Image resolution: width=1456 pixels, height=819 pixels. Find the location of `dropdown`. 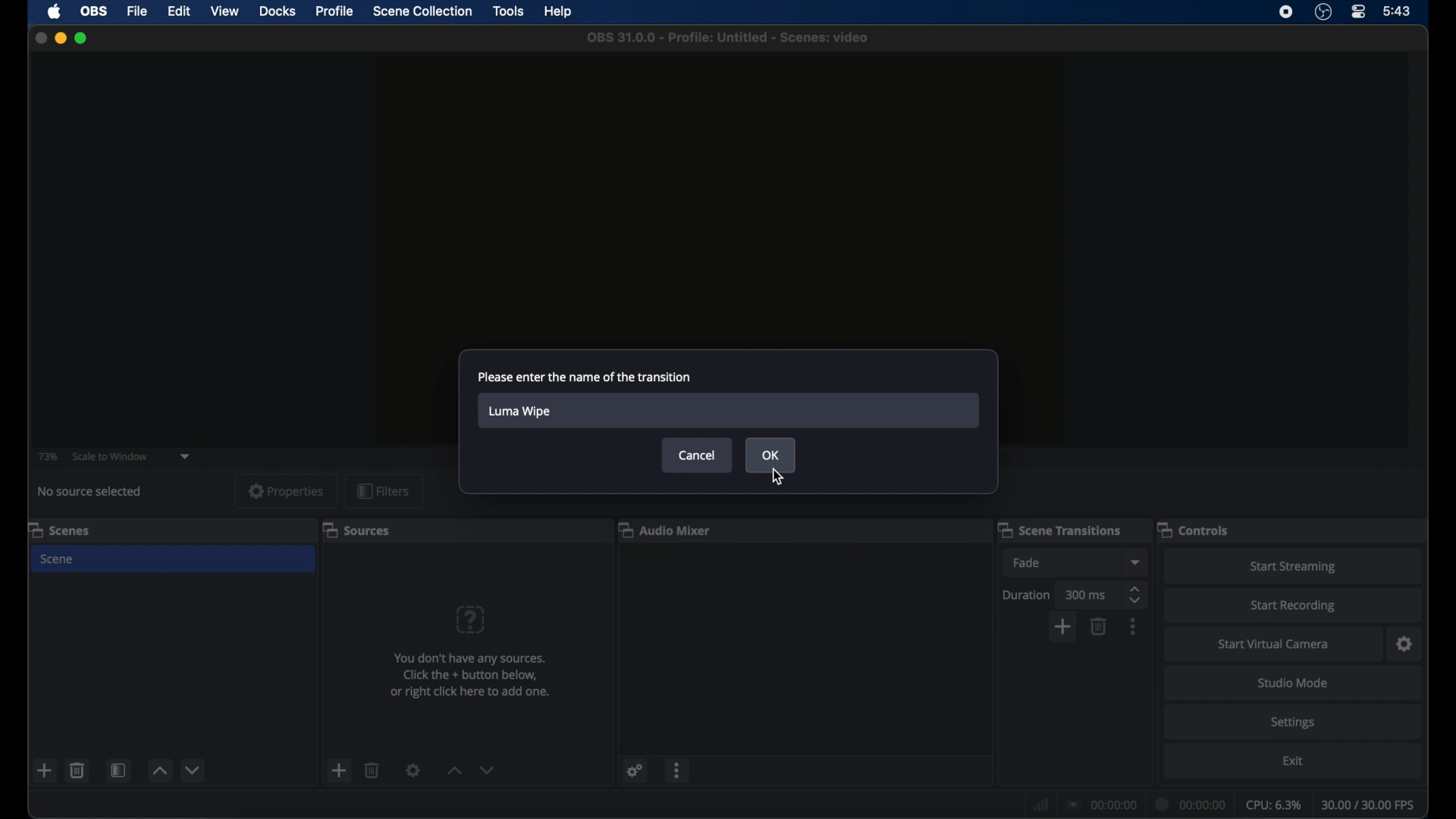

dropdown is located at coordinates (1134, 561).